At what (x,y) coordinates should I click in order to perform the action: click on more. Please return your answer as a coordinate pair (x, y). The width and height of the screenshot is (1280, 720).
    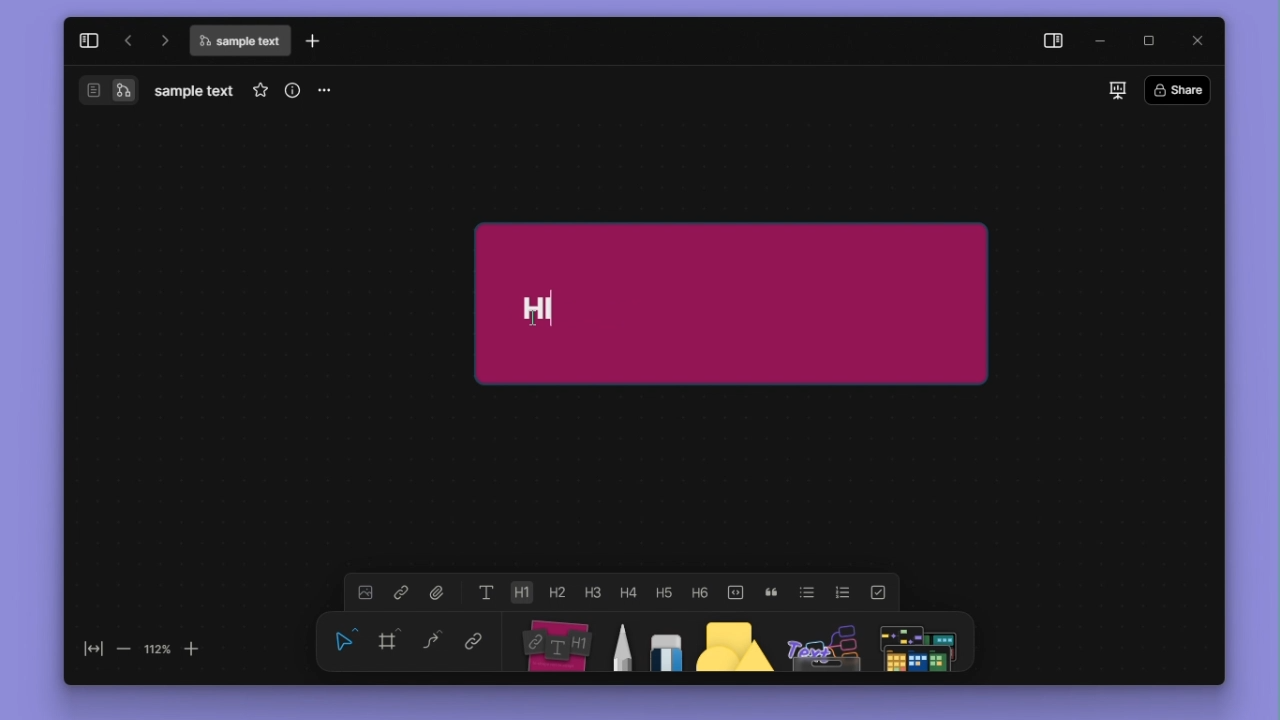
    Looking at the image, I should click on (322, 92).